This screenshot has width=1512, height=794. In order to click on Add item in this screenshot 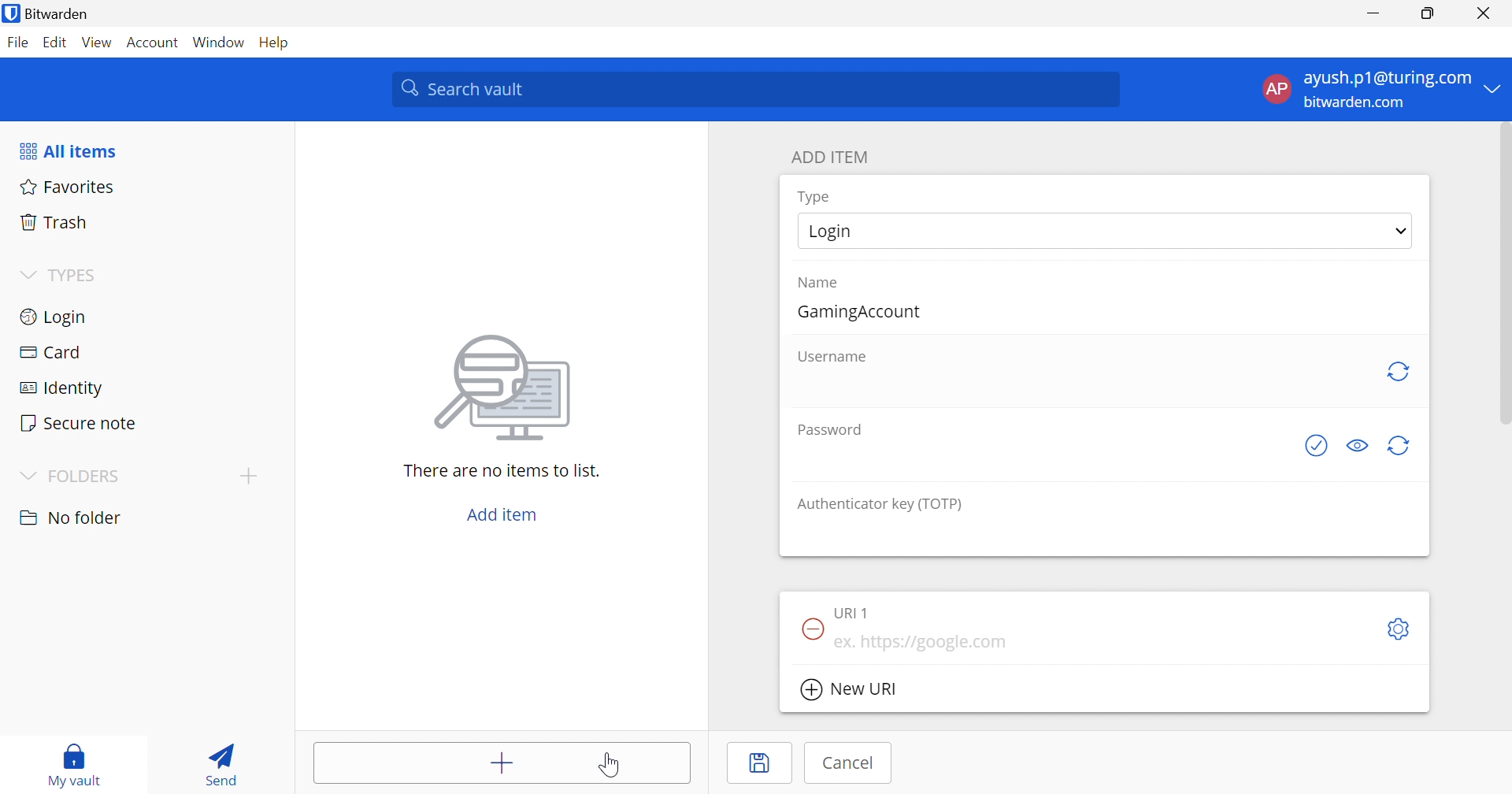, I will do `click(498, 514)`.